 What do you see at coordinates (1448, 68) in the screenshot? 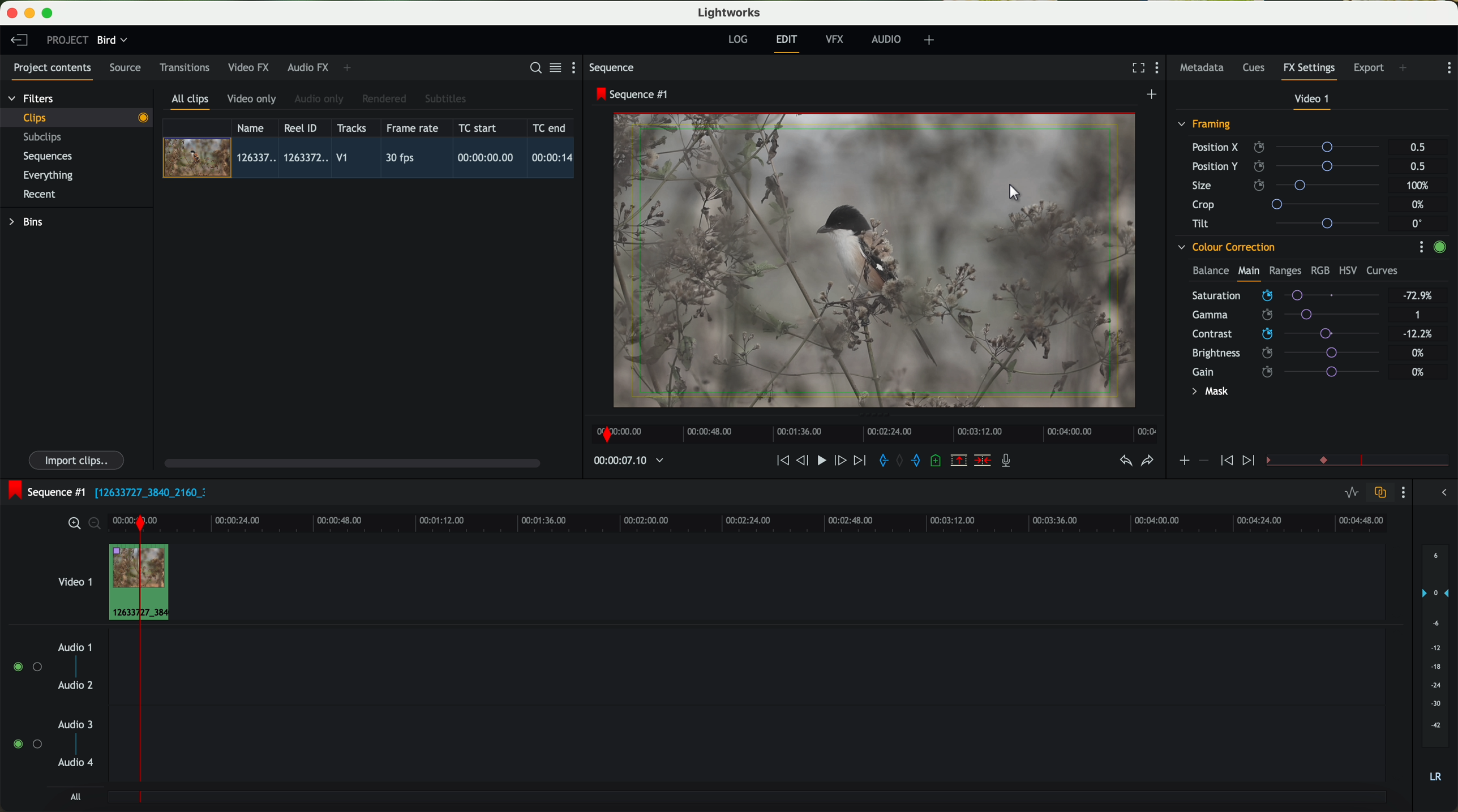
I see `show settings menu` at bounding box center [1448, 68].